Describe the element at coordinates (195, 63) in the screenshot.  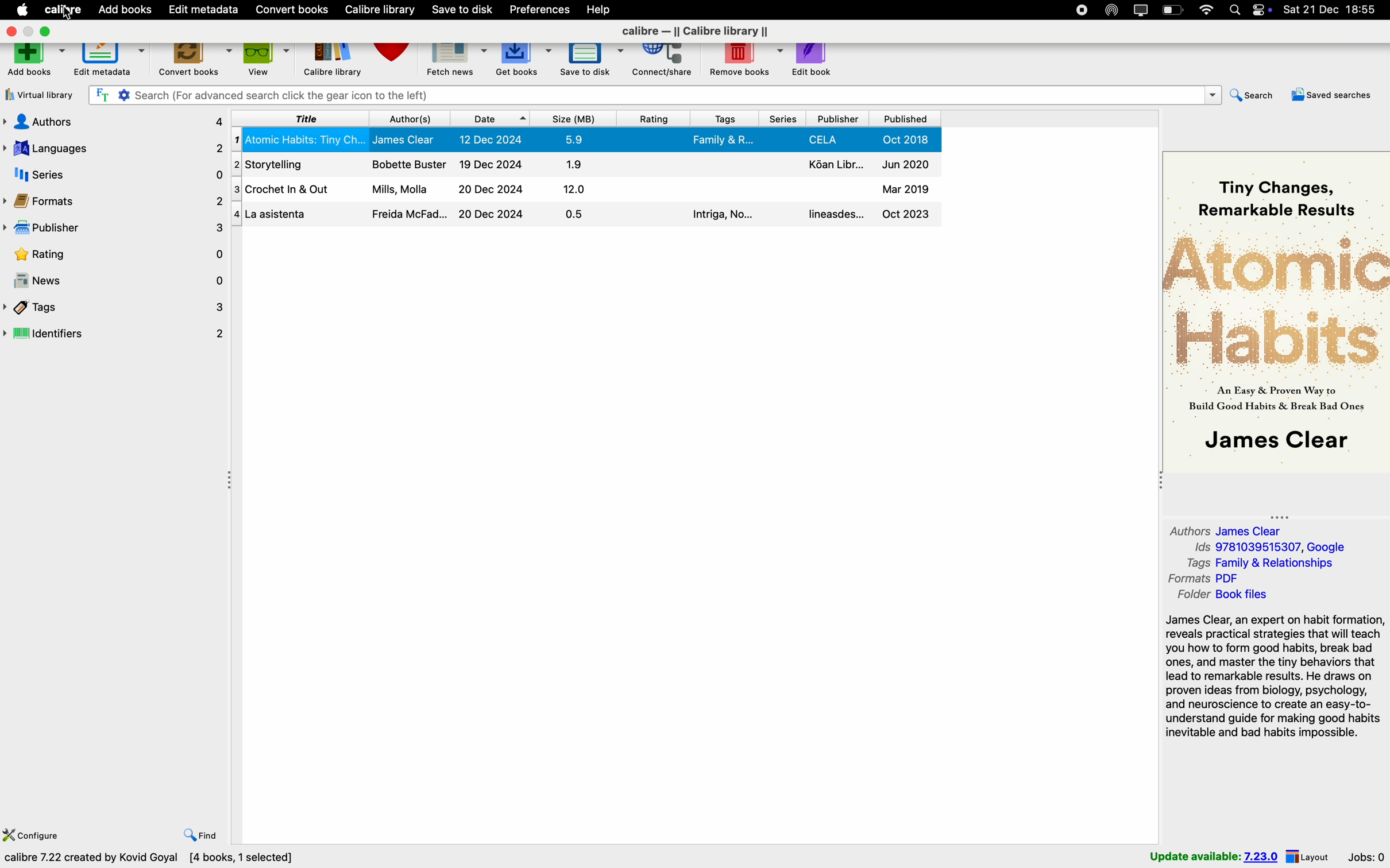
I see `convert books` at that location.